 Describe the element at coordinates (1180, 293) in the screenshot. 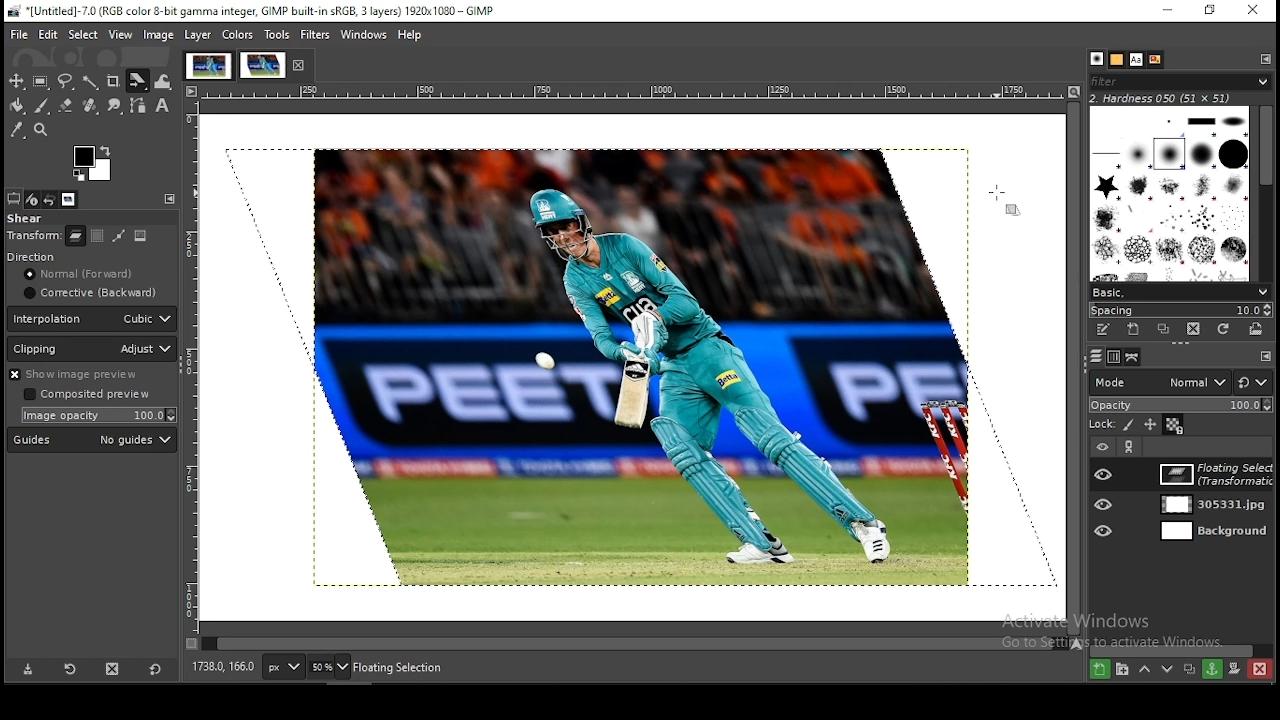

I see `basic` at that location.